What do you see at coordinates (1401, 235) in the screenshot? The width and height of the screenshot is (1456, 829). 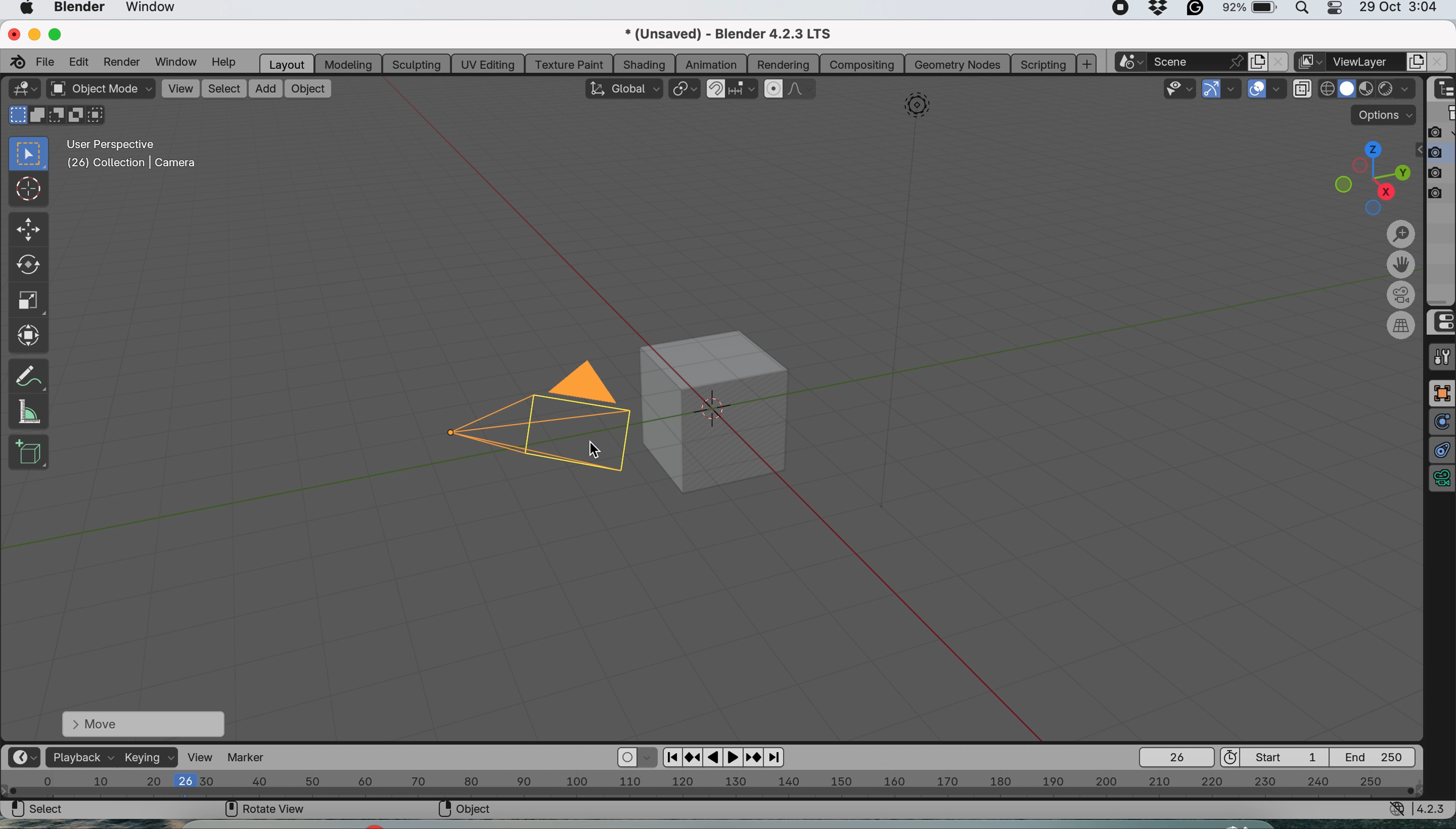 I see `zoom in-out` at bounding box center [1401, 235].